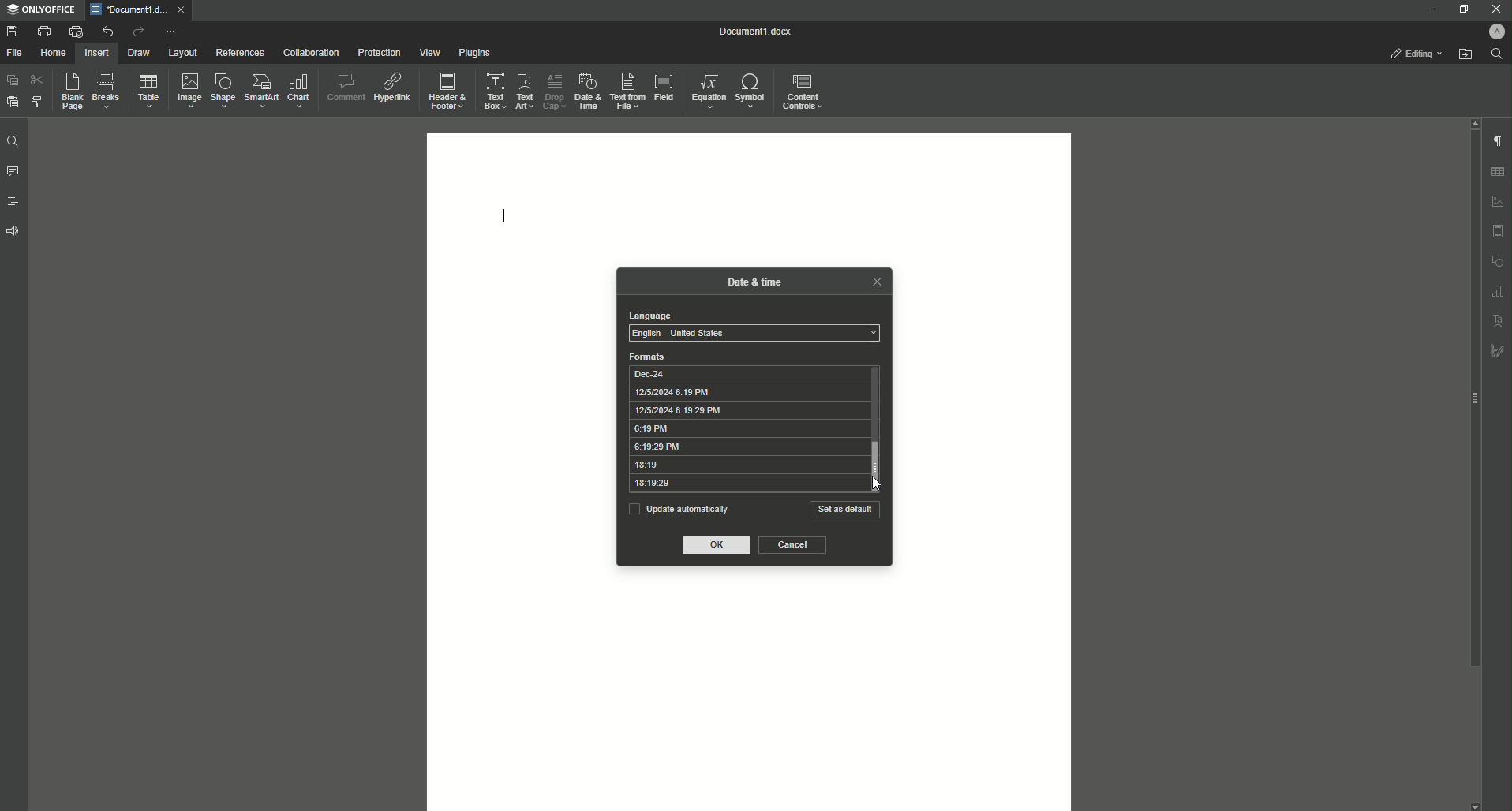  Describe the element at coordinates (664, 88) in the screenshot. I see `Field` at that location.